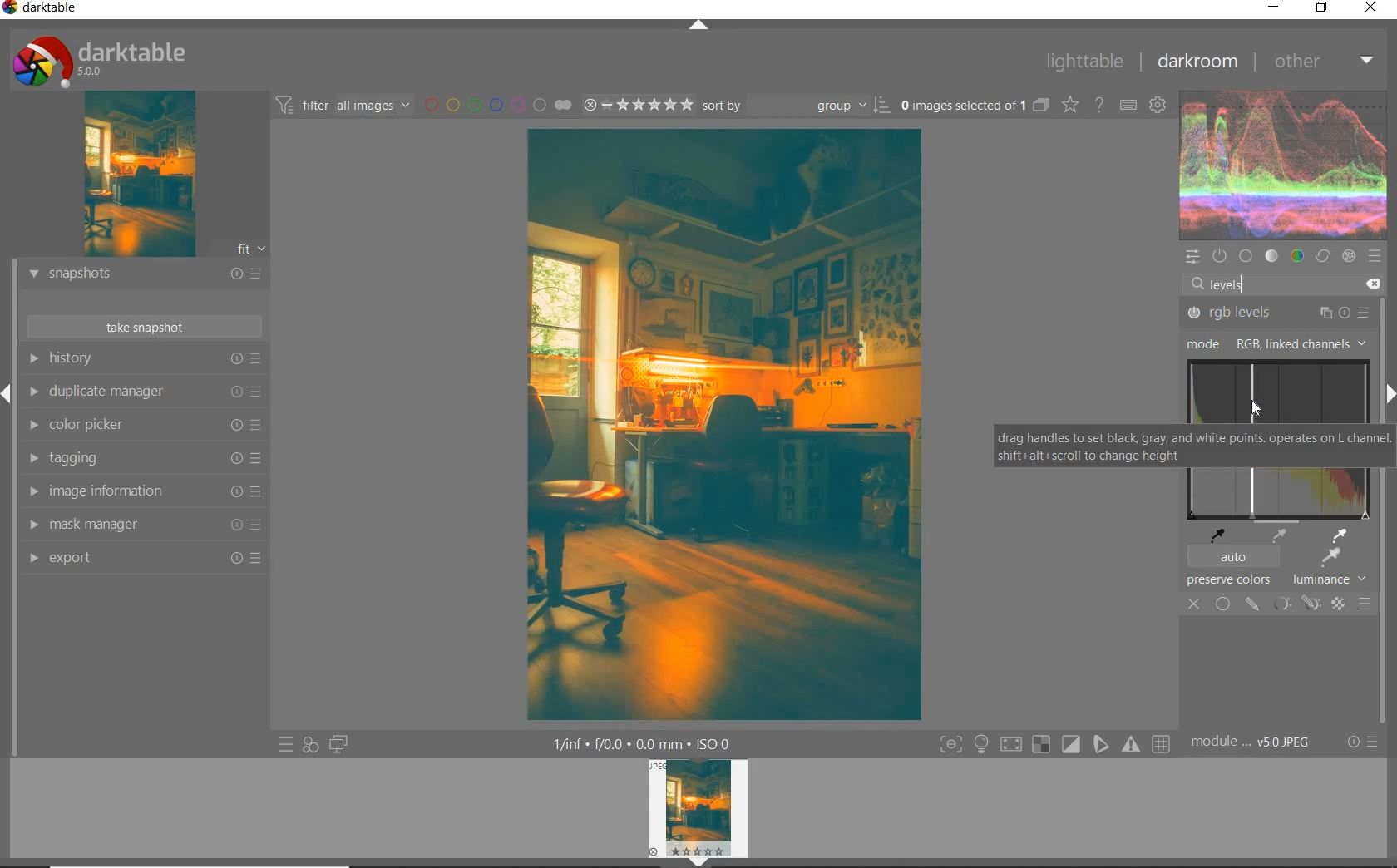  What do you see at coordinates (1158, 106) in the screenshot?
I see `show global preferences` at bounding box center [1158, 106].